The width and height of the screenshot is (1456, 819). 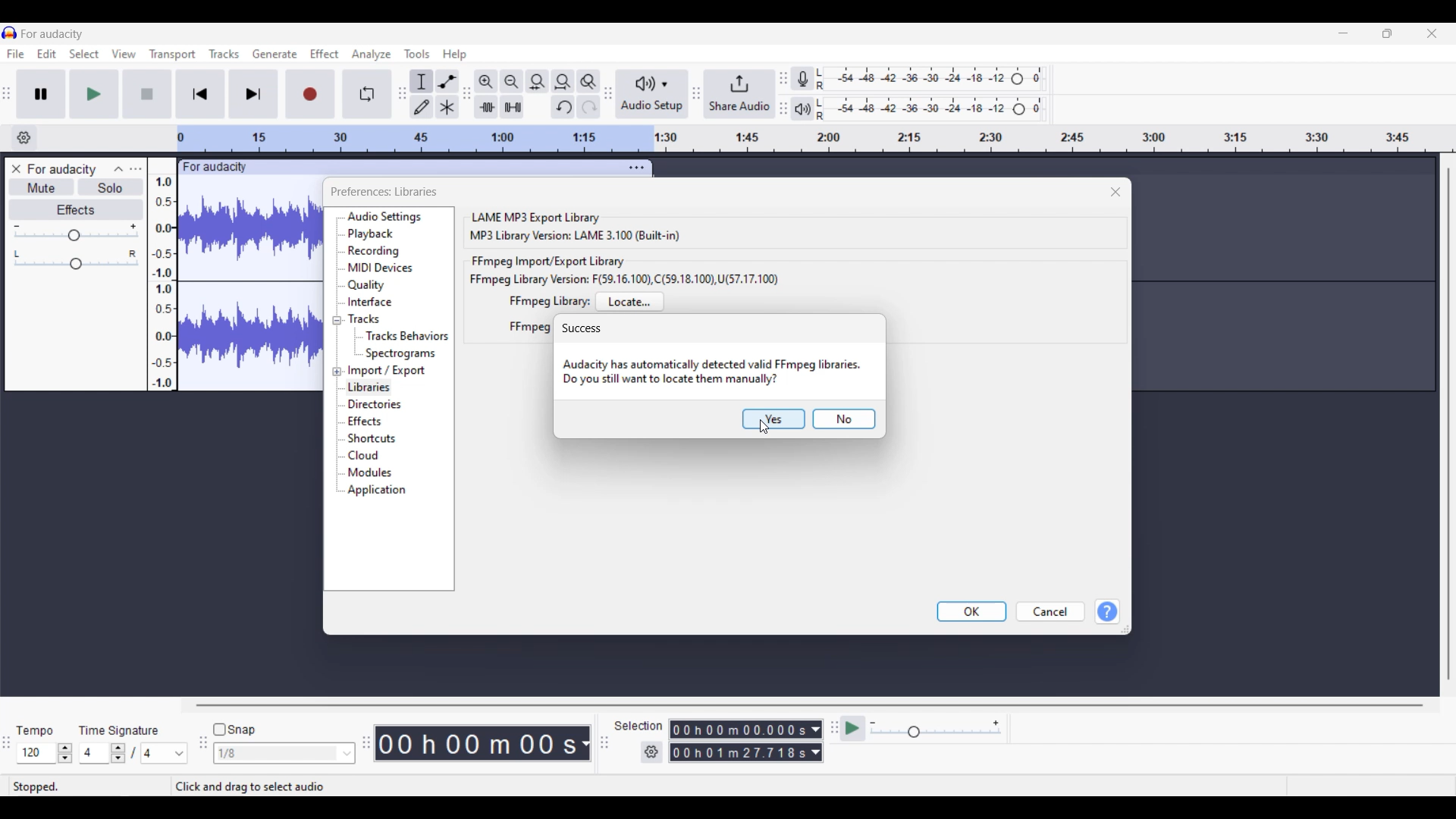 I want to click on Minimize, so click(x=1343, y=33).